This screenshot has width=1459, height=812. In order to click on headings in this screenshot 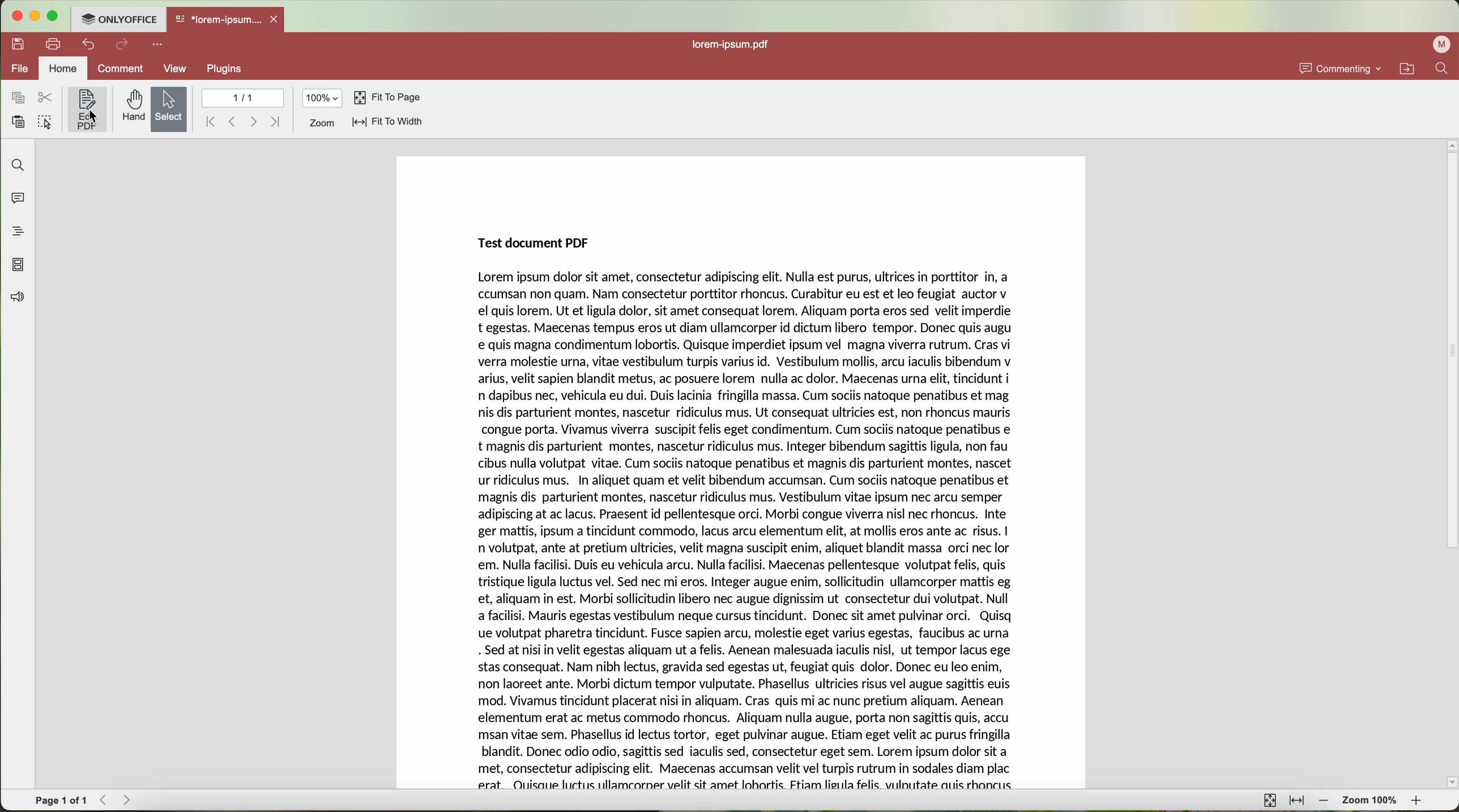, I will do `click(14, 231)`.